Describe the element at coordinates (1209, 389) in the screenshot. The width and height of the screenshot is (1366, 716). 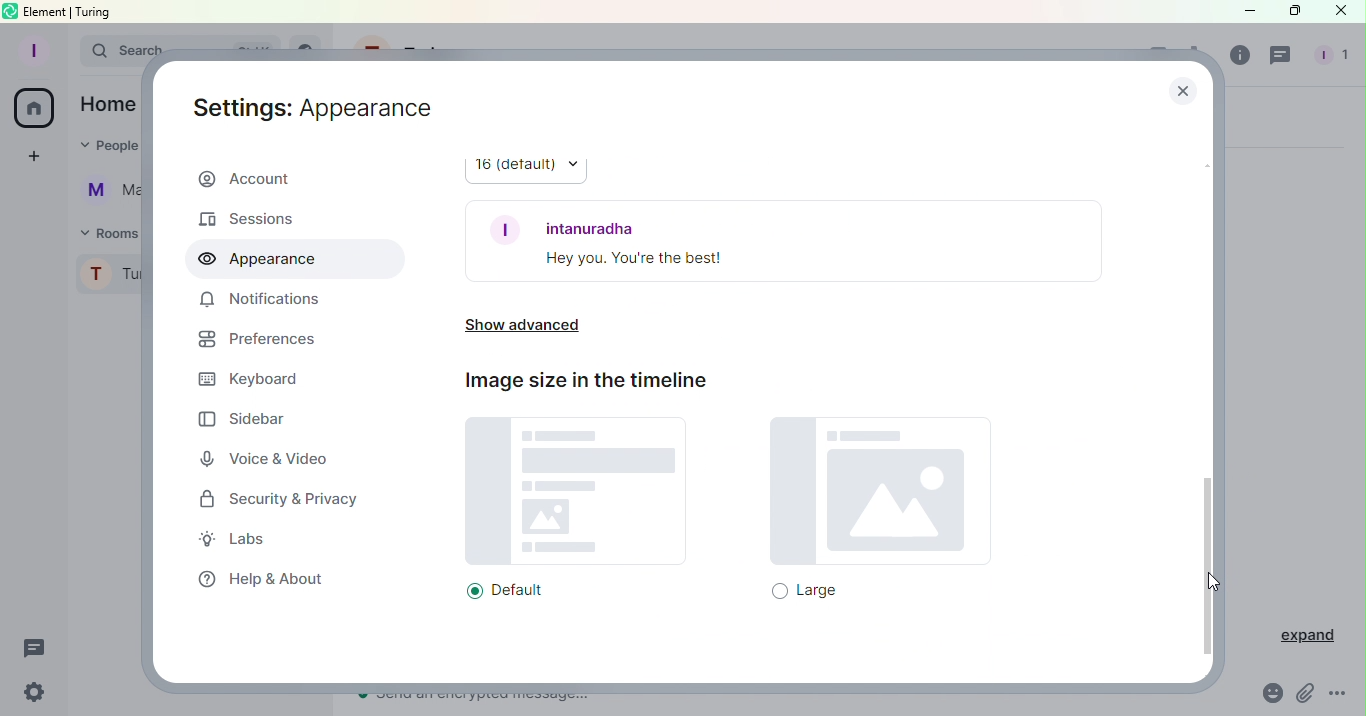
I see `Scroll bar` at that location.